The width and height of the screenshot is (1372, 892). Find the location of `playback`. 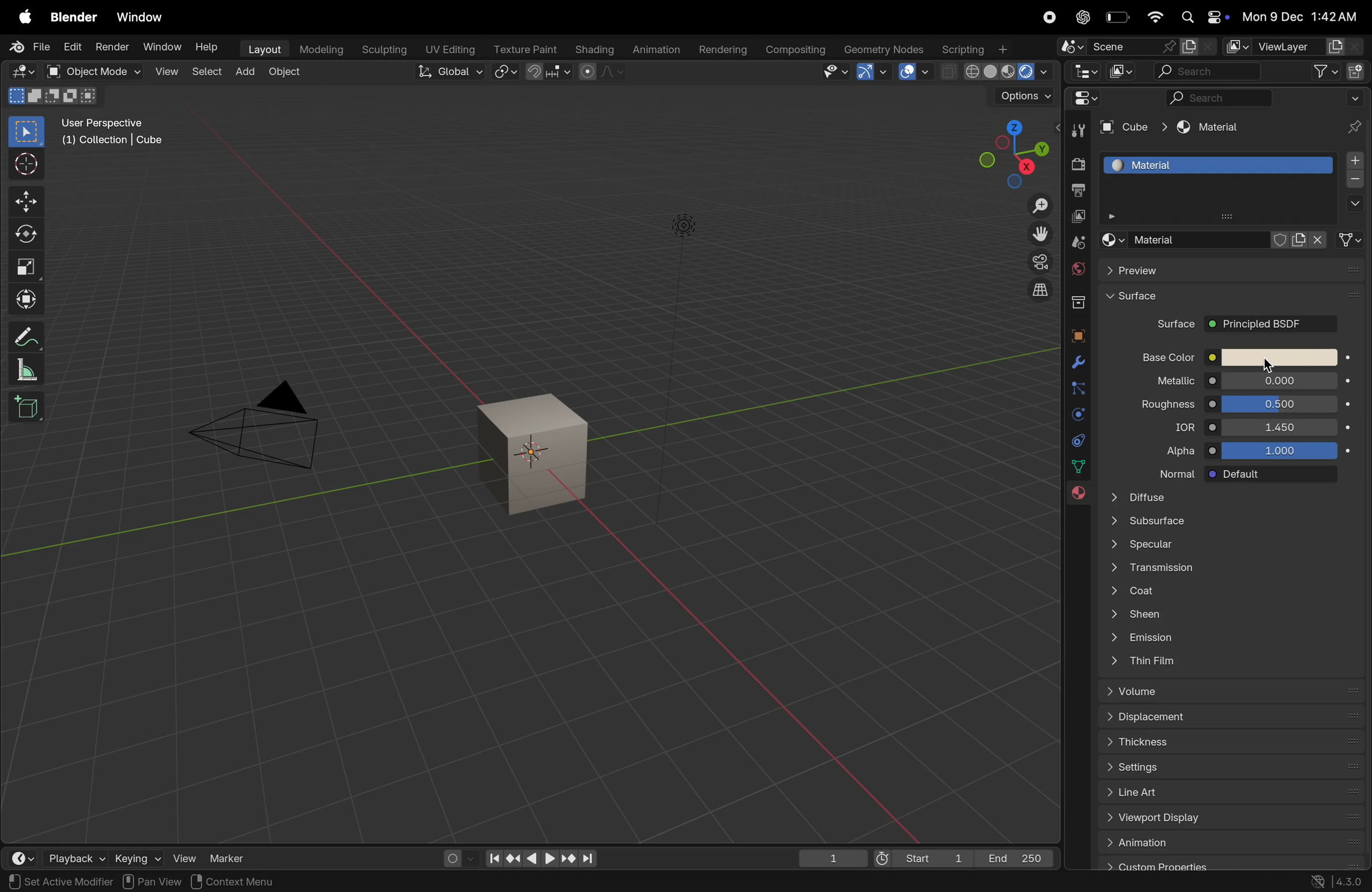

playback is located at coordinates (62, 856).